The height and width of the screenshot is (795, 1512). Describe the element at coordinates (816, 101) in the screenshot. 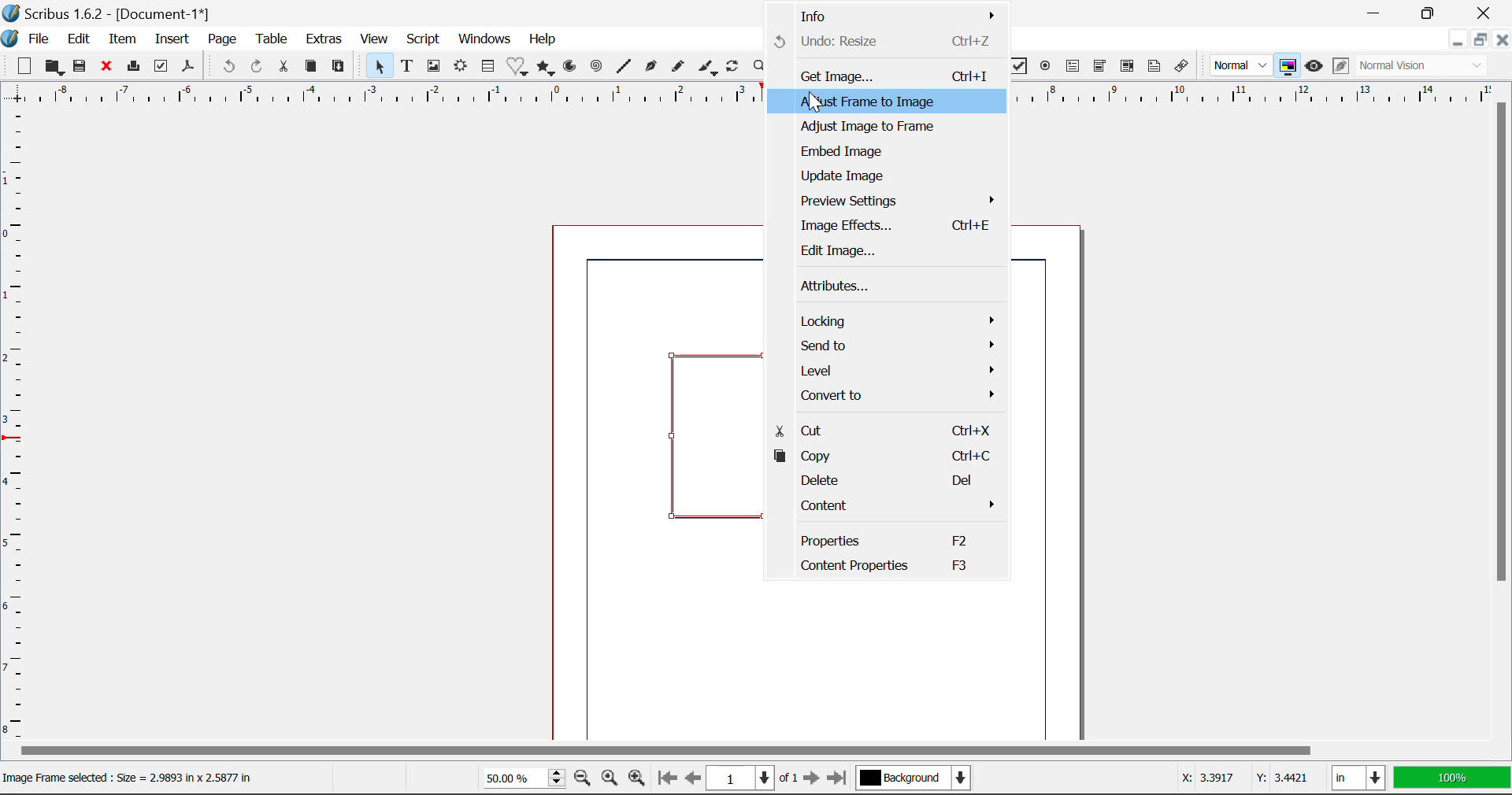

I see `Cursor Position` at that location.